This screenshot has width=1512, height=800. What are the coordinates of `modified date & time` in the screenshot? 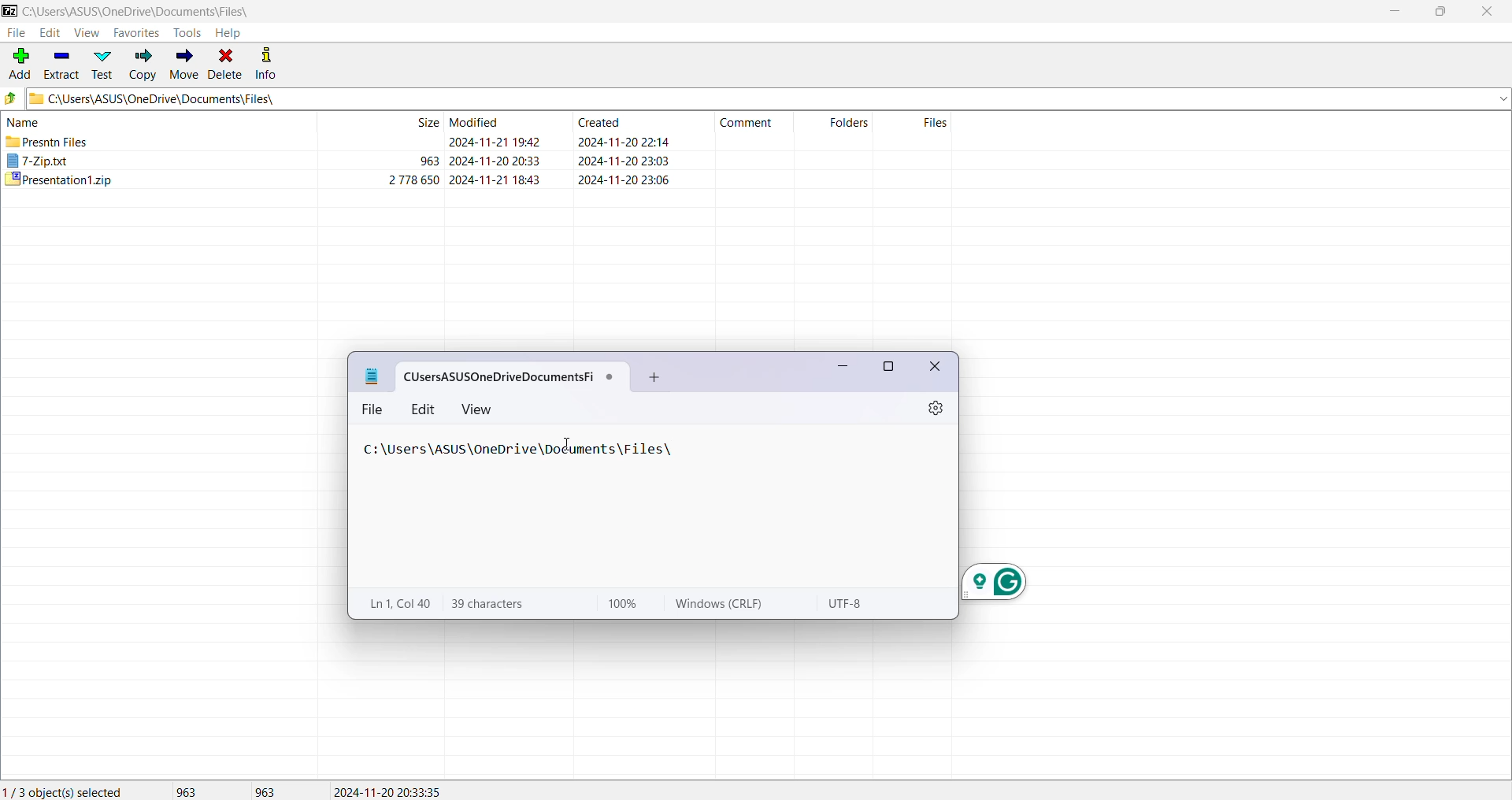 It's located at (495, 161).